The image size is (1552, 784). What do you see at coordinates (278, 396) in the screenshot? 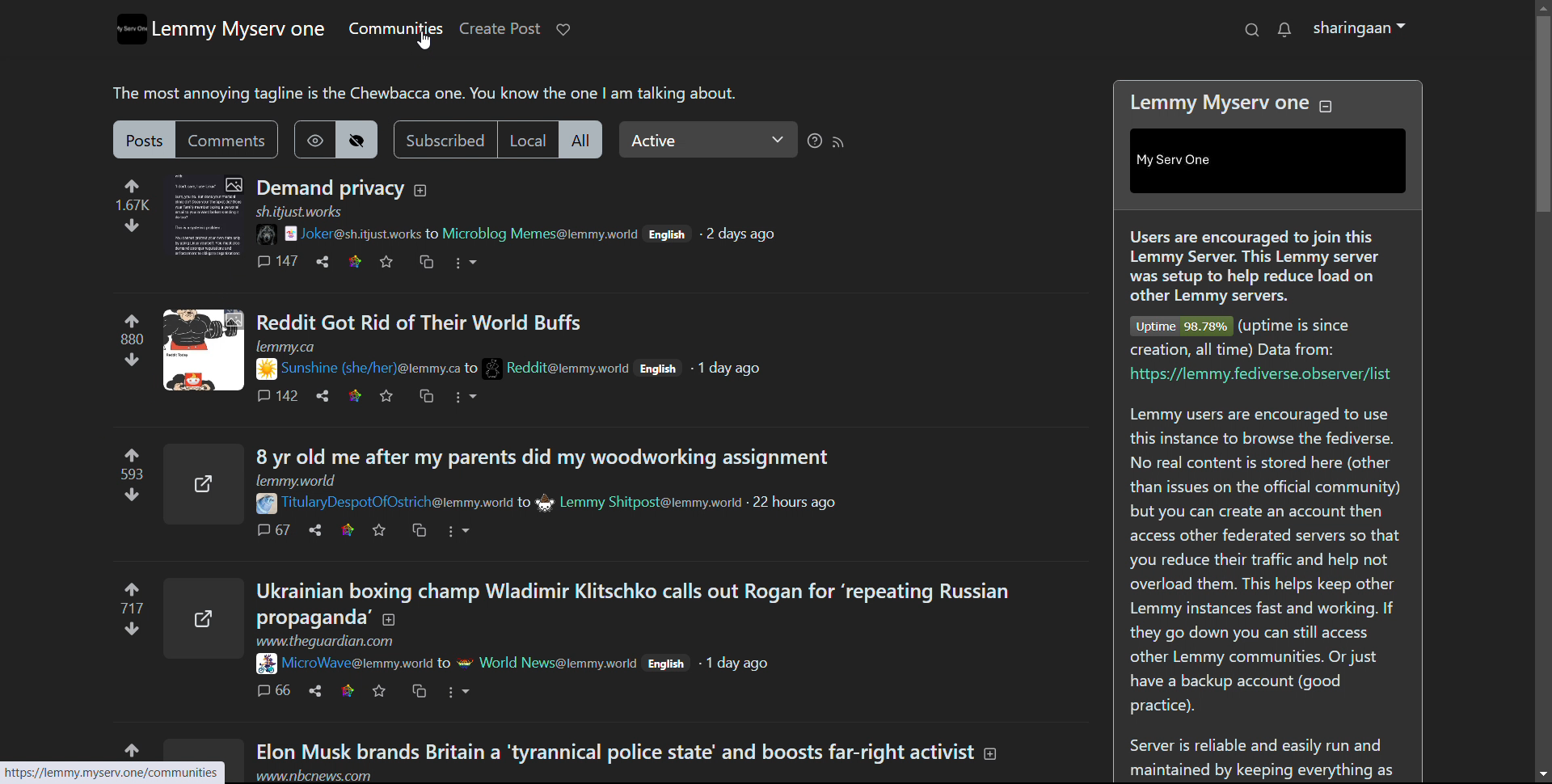
I see `142 comments` at bounding box center [278, 396].